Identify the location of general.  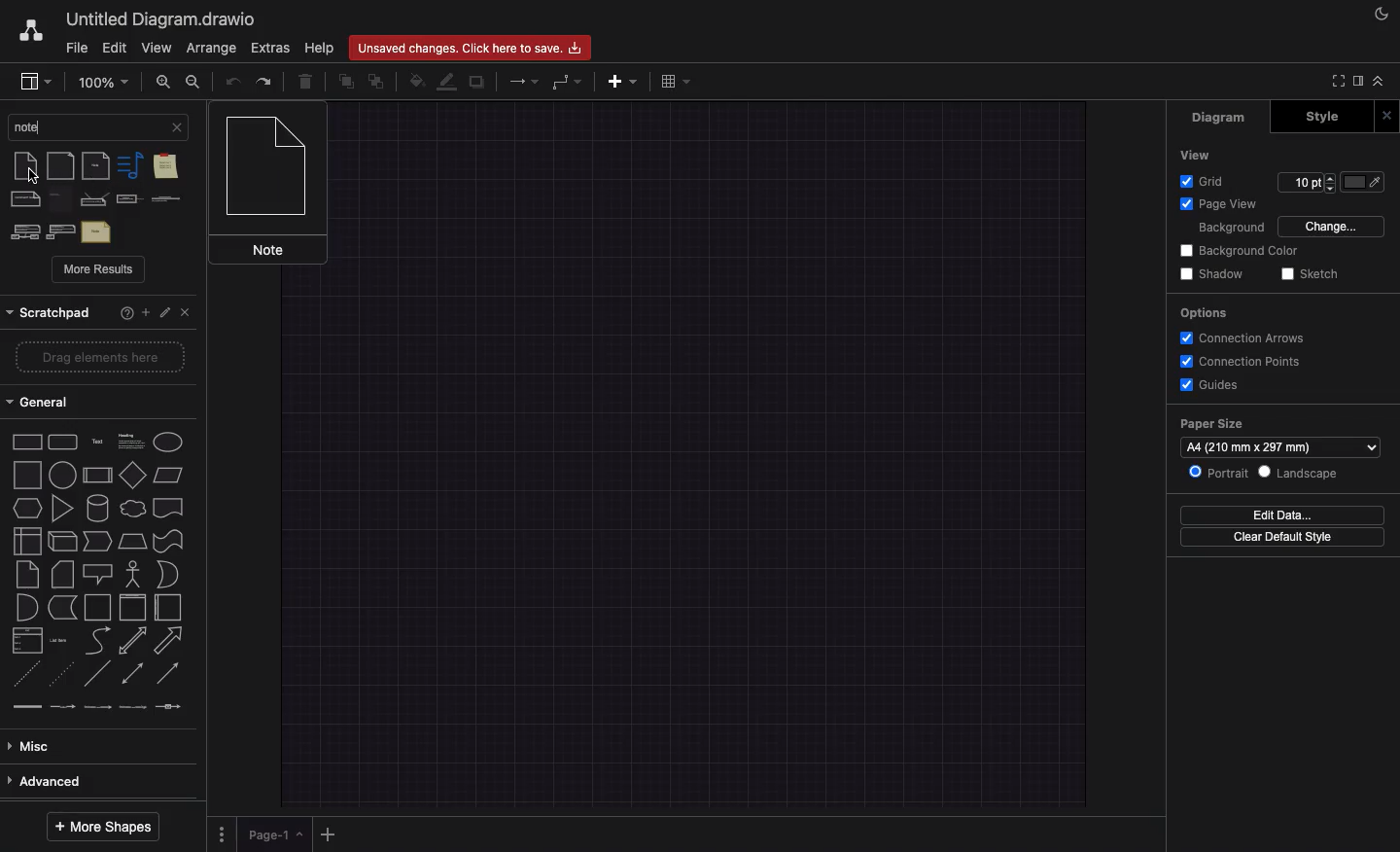
(91, 399).